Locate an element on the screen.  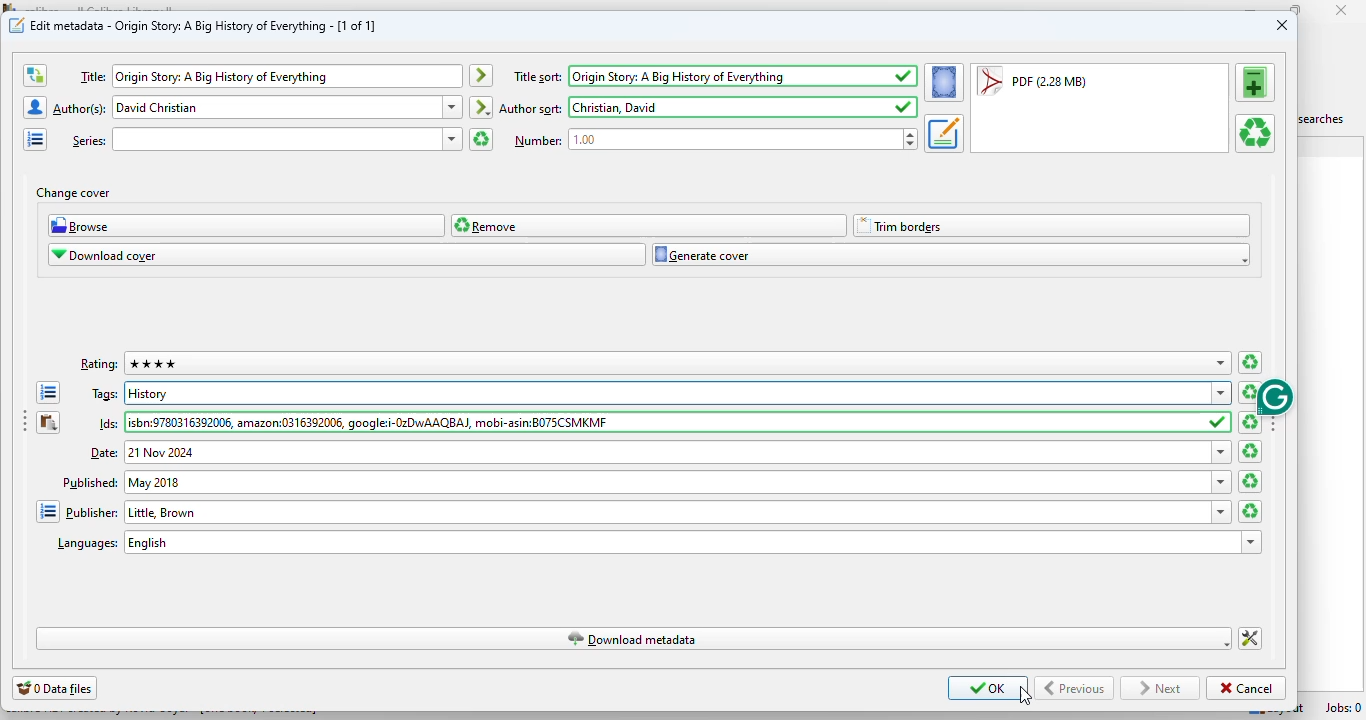
author sort: David Christian is located at coordinates (728, 107).